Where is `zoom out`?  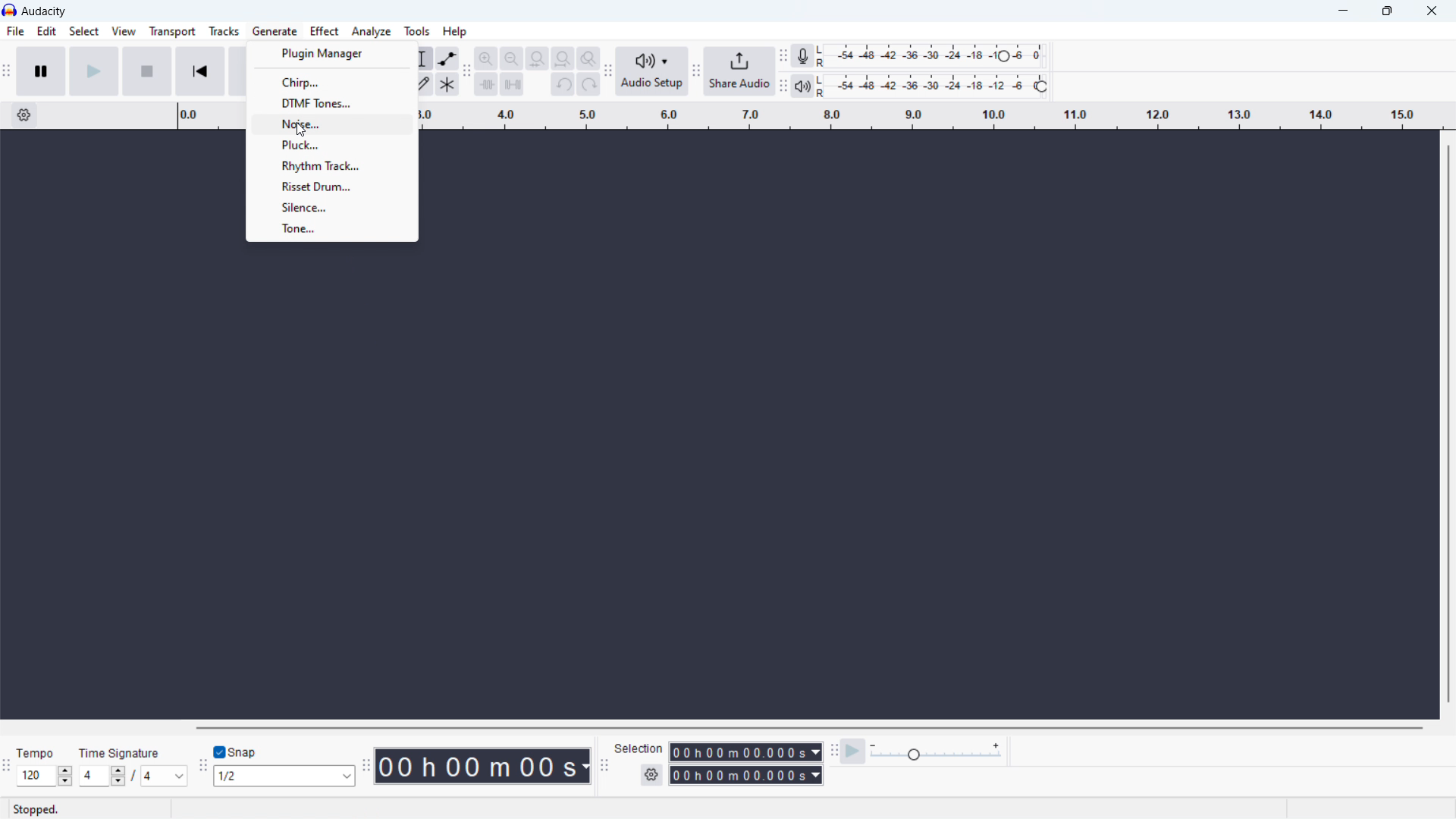 zoom out is located at coordinates (511, 58).